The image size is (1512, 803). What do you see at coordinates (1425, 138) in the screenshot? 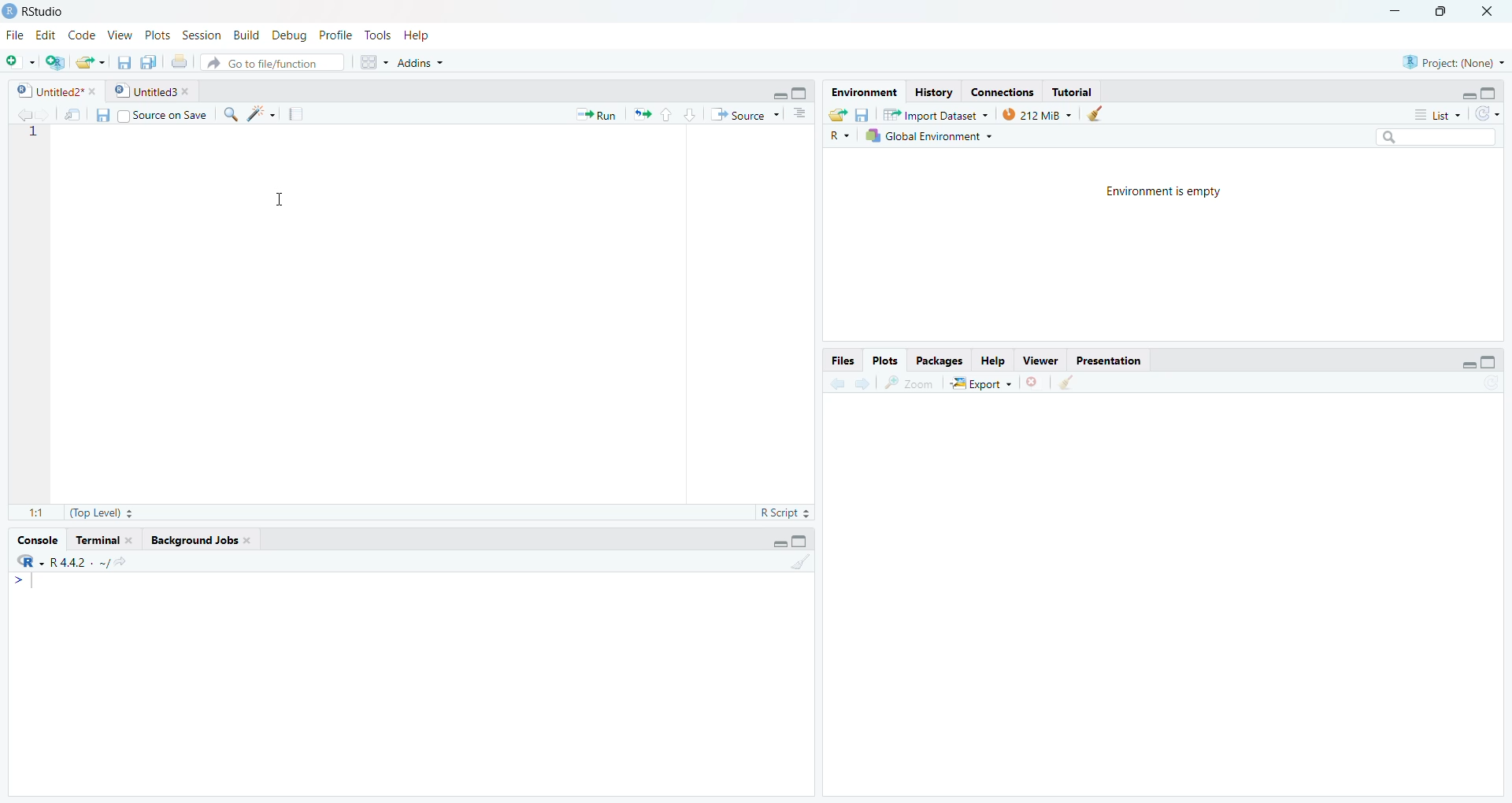
I see `Search bar` at bounding box center [1425, 138].